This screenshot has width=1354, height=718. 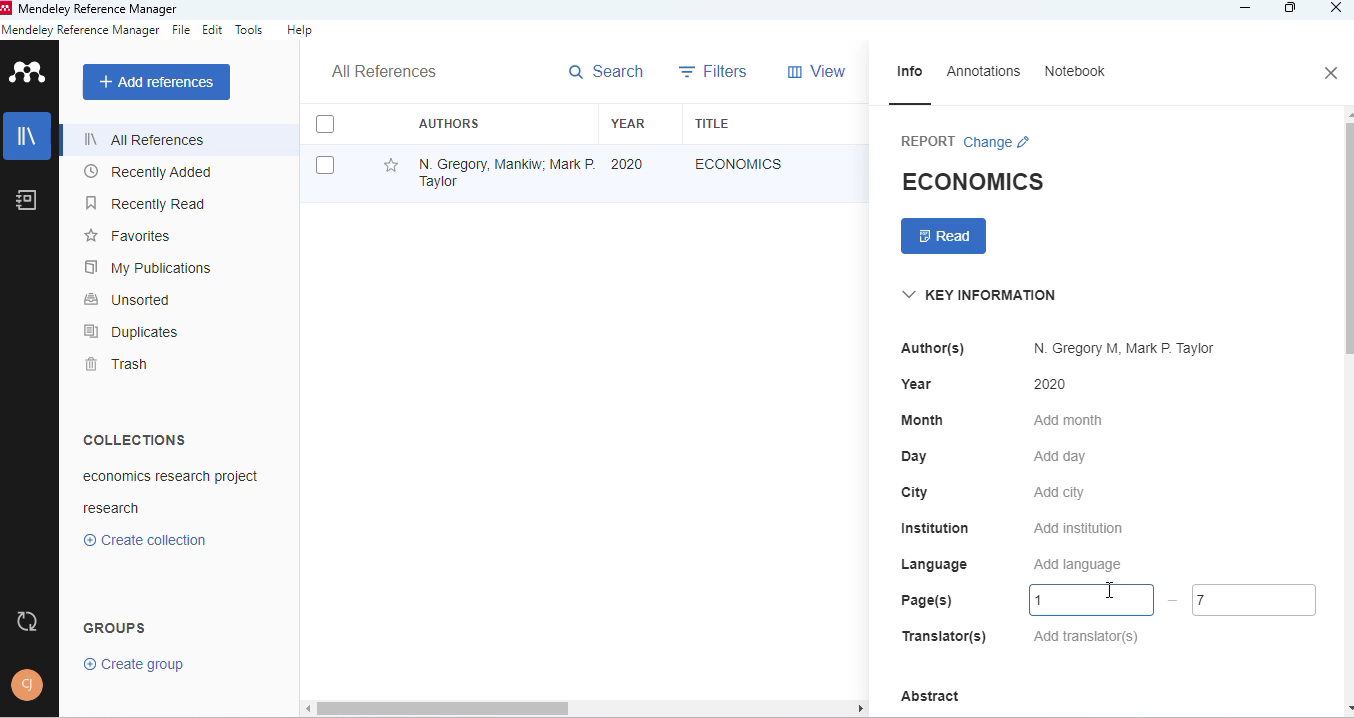 I want to click on select, so click(x=326, y=166).